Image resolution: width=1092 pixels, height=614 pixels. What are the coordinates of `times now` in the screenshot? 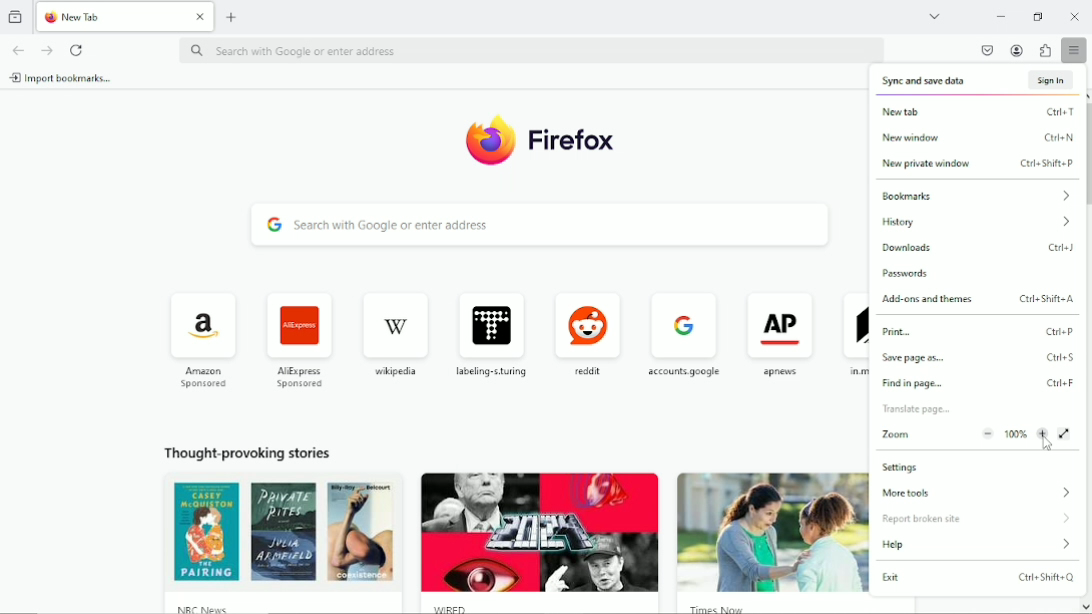 It's located at (718, 608).